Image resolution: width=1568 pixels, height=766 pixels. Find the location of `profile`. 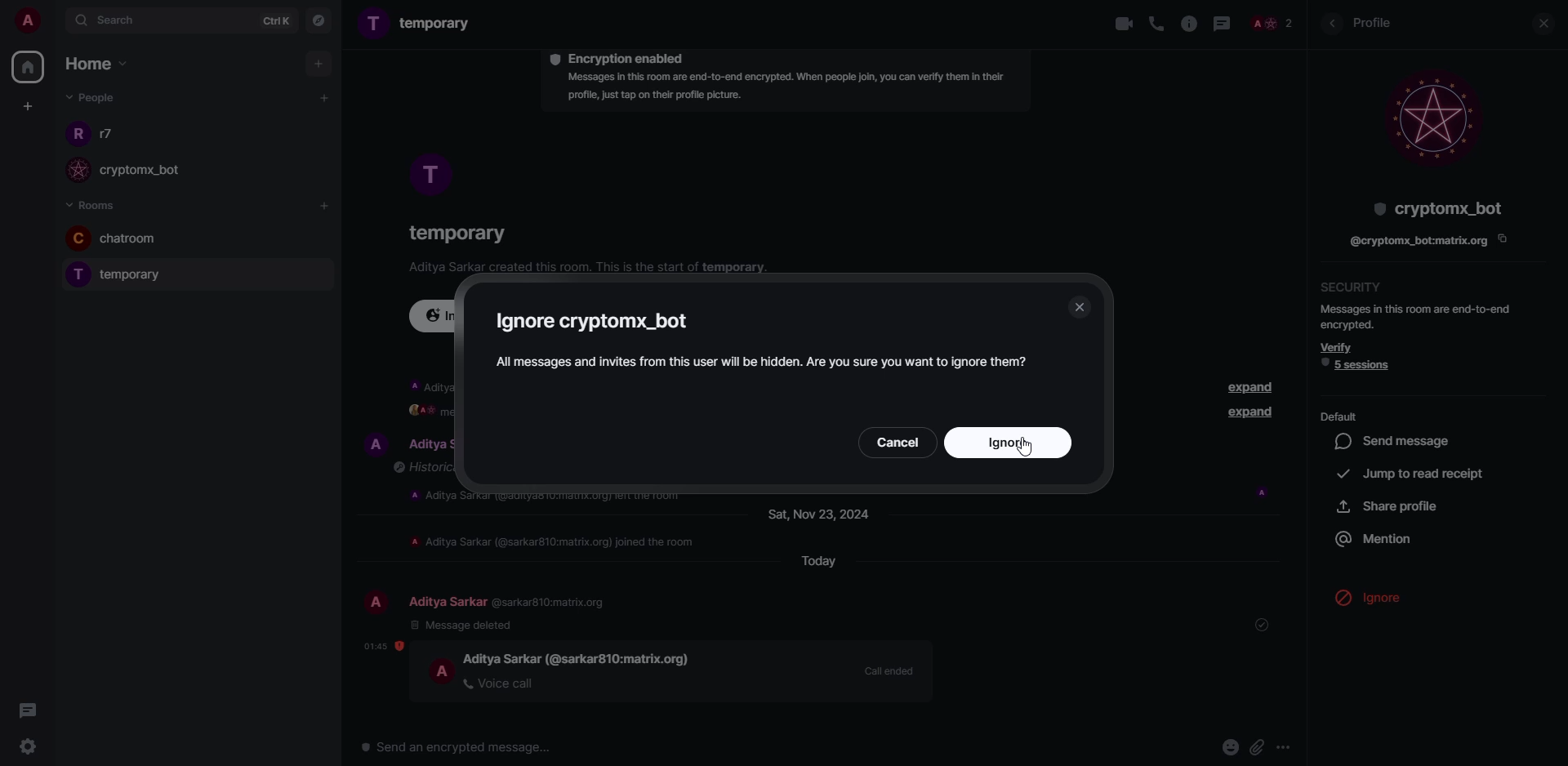

profile is located at coordinates (1378, 24).